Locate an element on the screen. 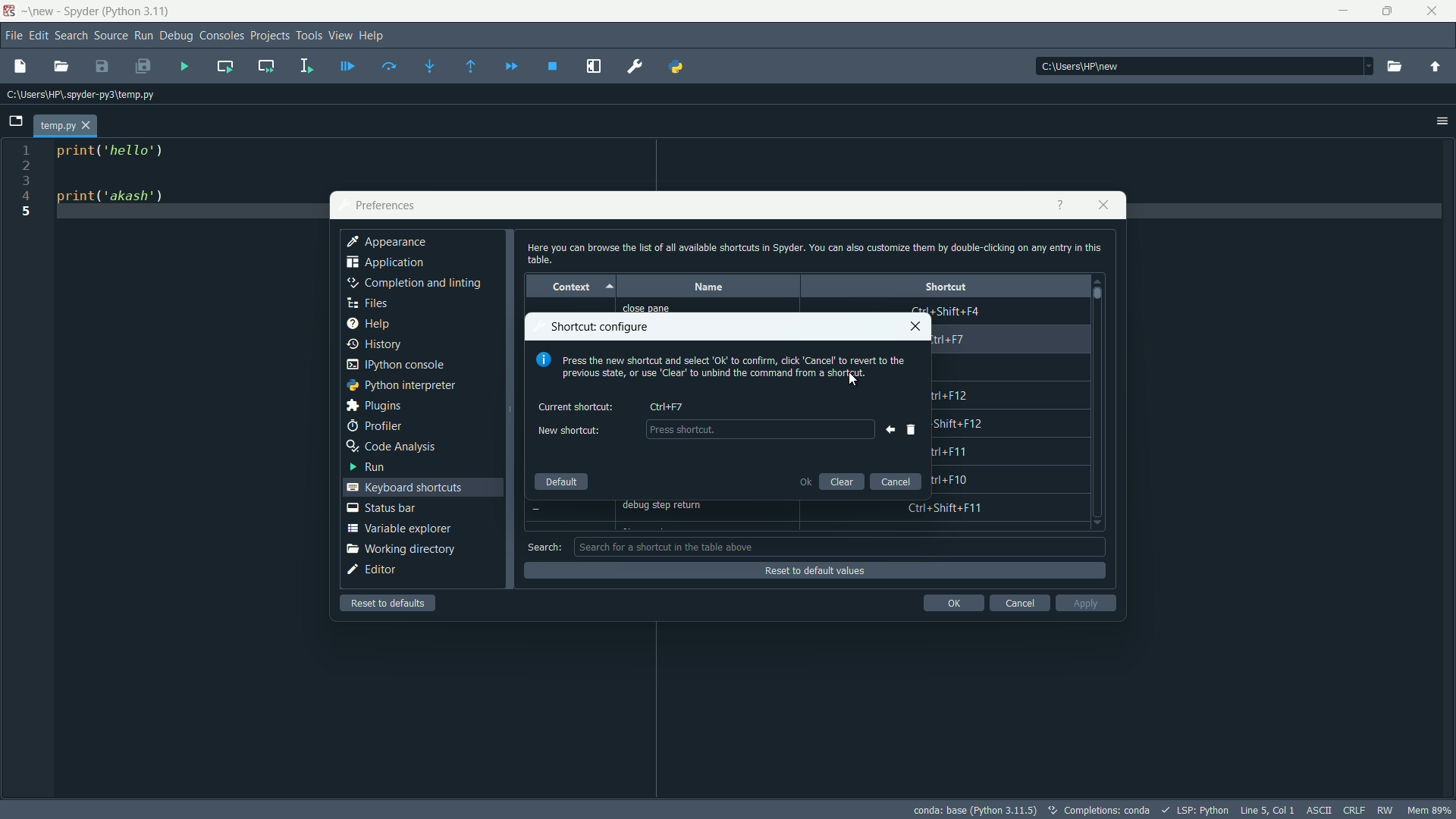  current shortcut is located at coordinates (577, 406).